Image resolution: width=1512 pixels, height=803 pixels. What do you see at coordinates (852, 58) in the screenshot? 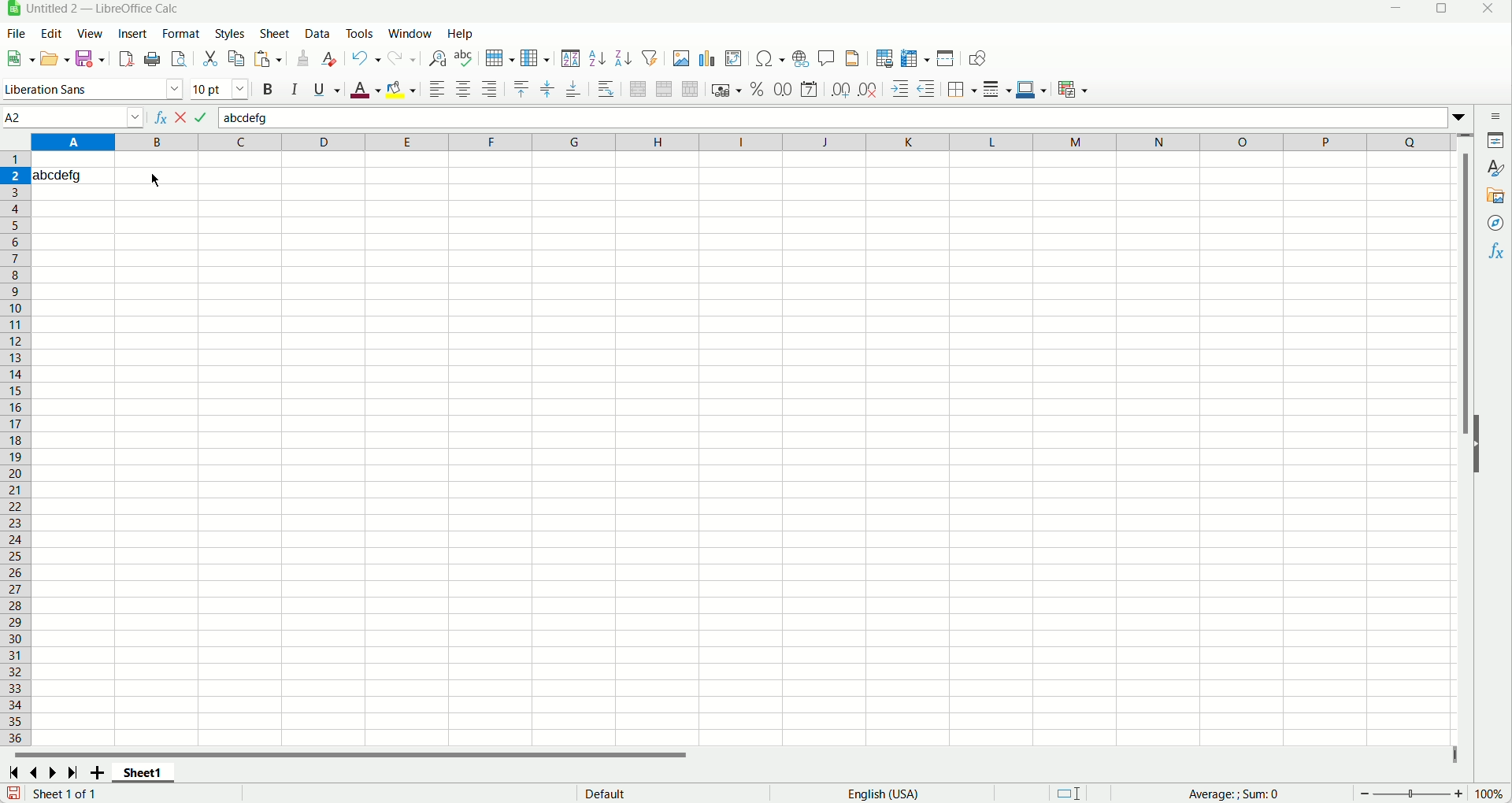
I see `header and footer` at bounding box center [852, 58].